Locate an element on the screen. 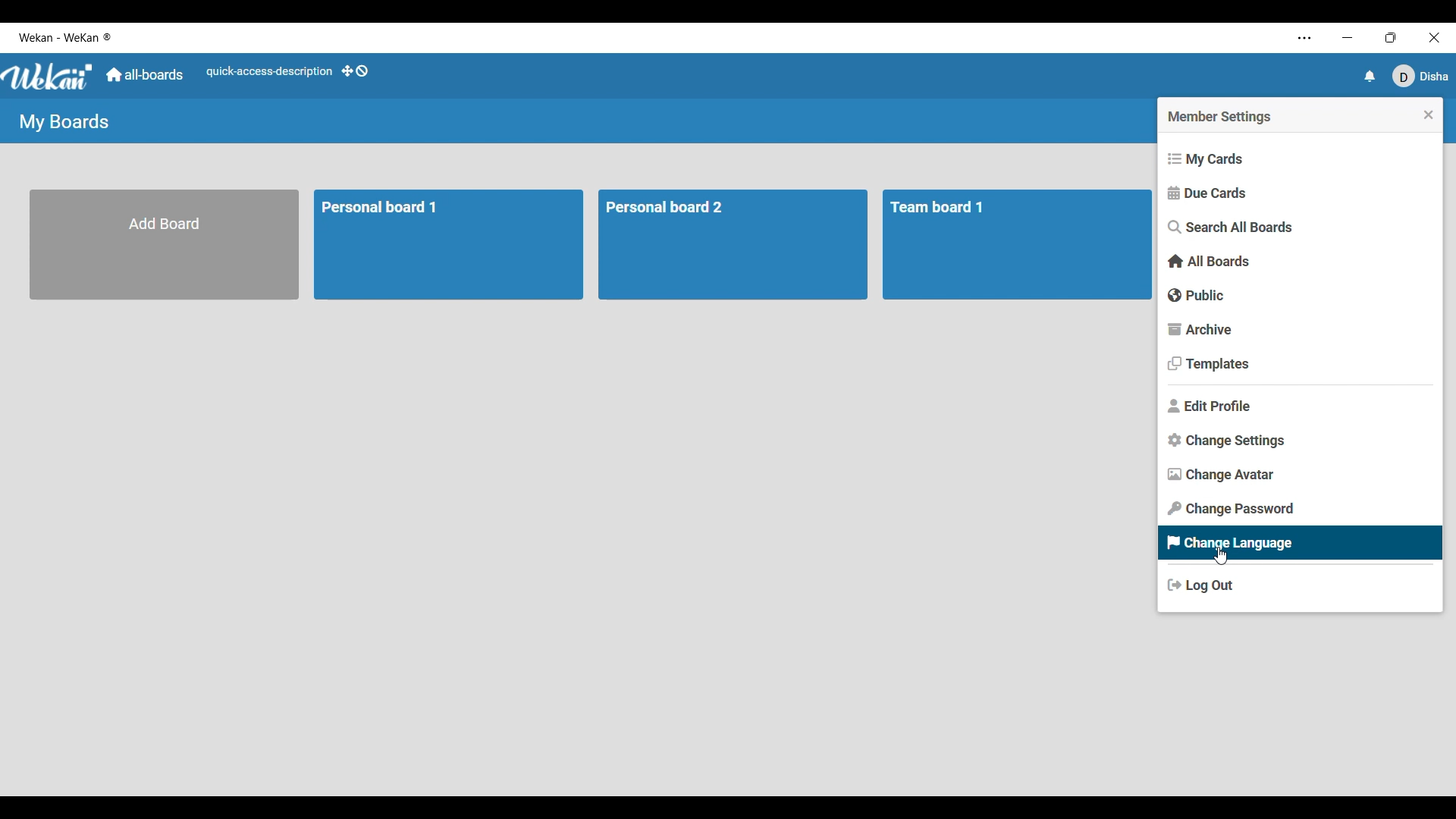 The image size is (1456, 819). Due cards is located at coordinates (1298, 193).